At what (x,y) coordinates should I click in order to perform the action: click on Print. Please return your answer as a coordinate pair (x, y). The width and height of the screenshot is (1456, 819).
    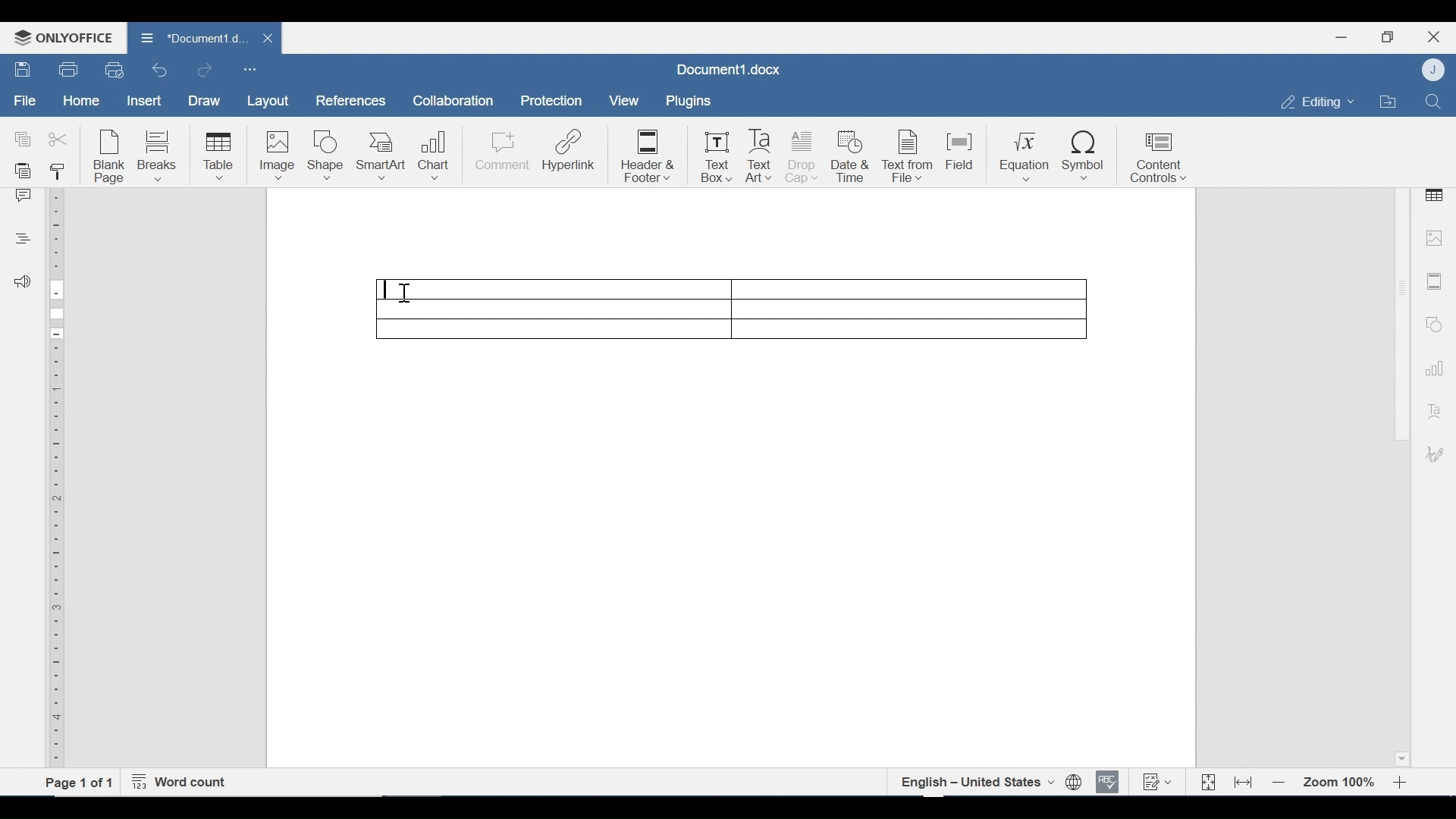
    Looking at the image, I should click on (69, 70).